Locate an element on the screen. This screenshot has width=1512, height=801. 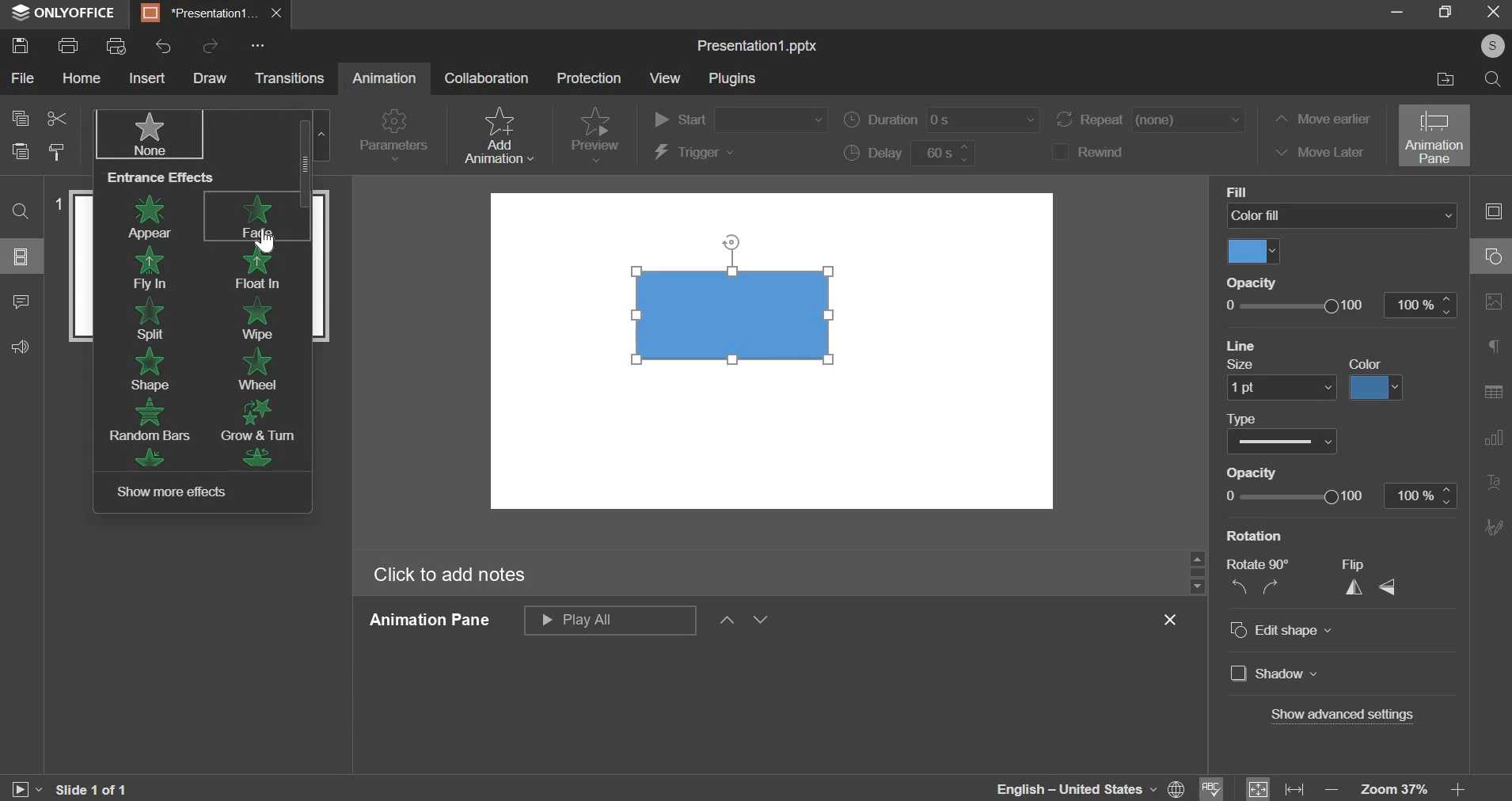
Opacity is located at coordinates (1256, 279).